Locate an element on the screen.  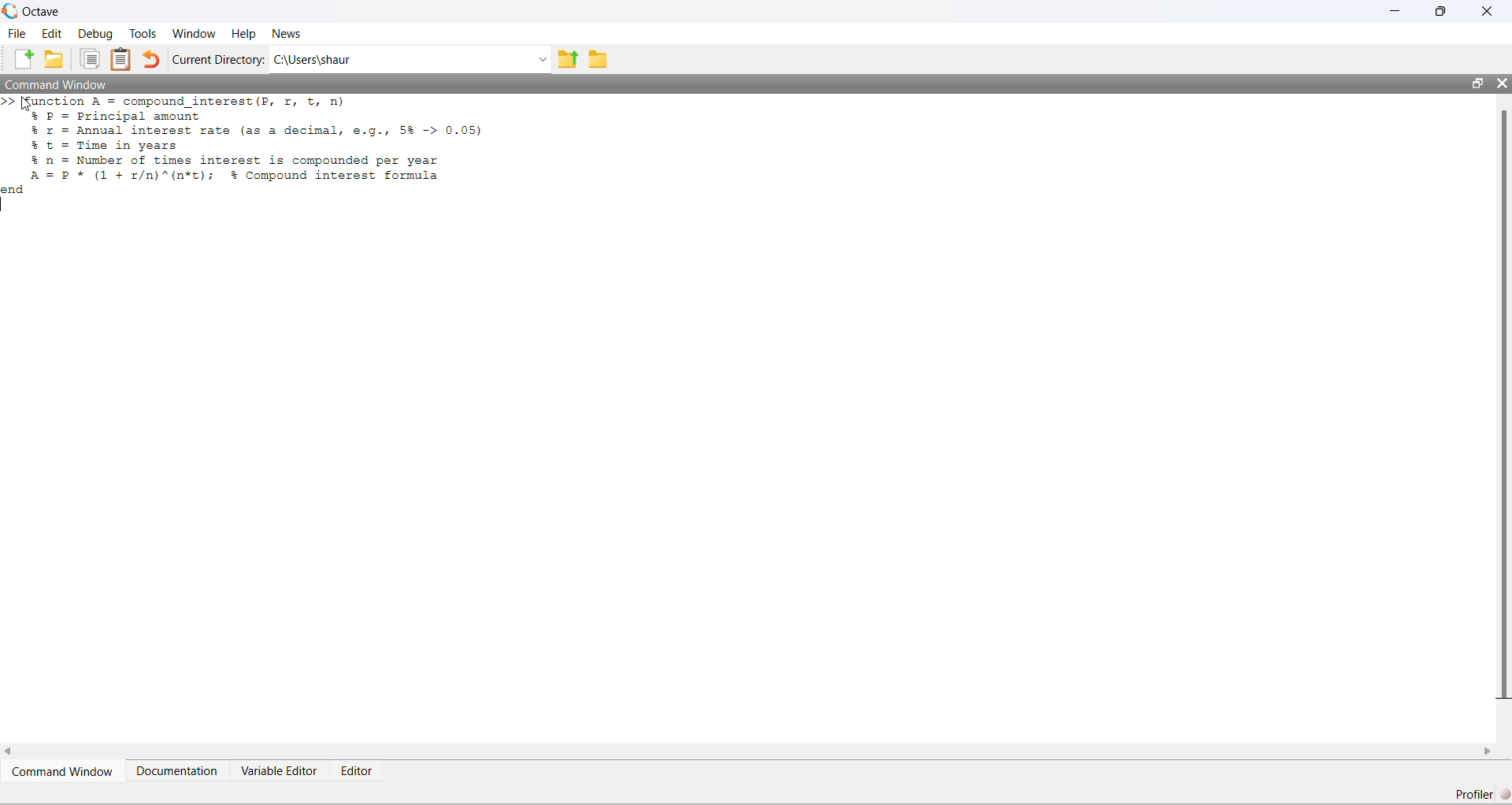
scroll right is located at coordinates (1488, 751).